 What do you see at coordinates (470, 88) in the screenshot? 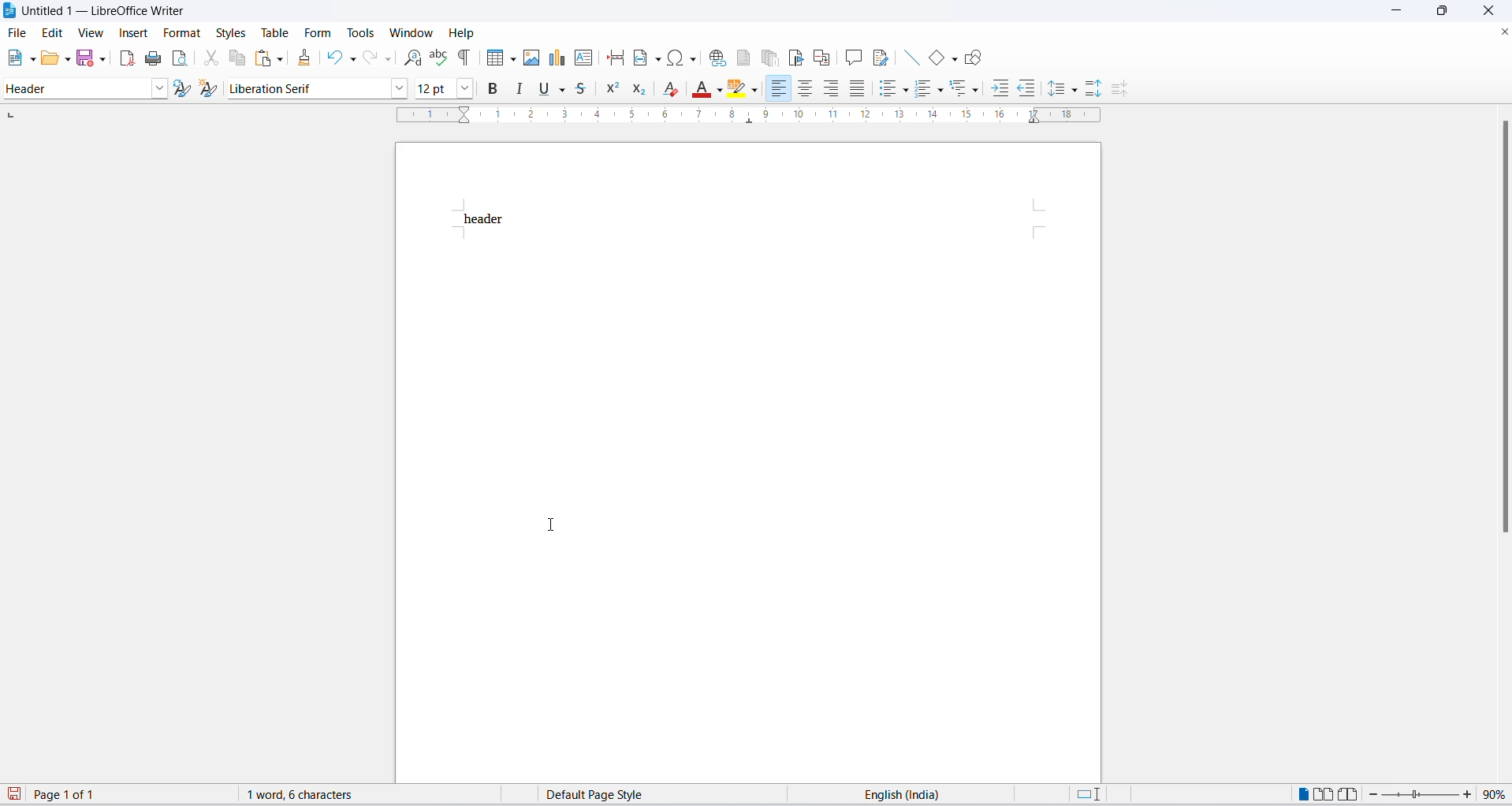
I see `font size options` at bounding box center [470, 88].